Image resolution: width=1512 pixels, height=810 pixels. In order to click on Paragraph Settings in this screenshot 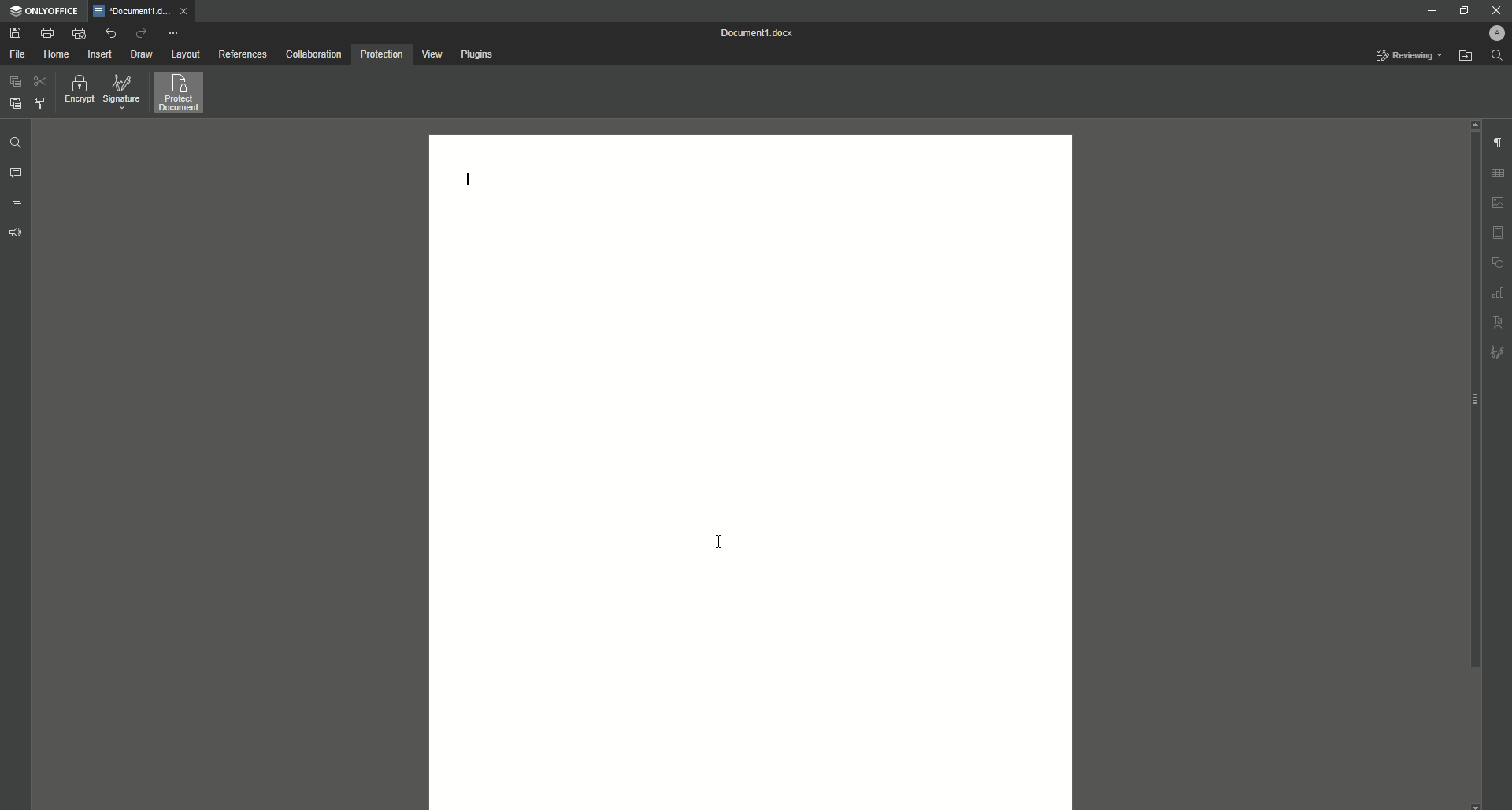, I will do `click(1498, 143)`.